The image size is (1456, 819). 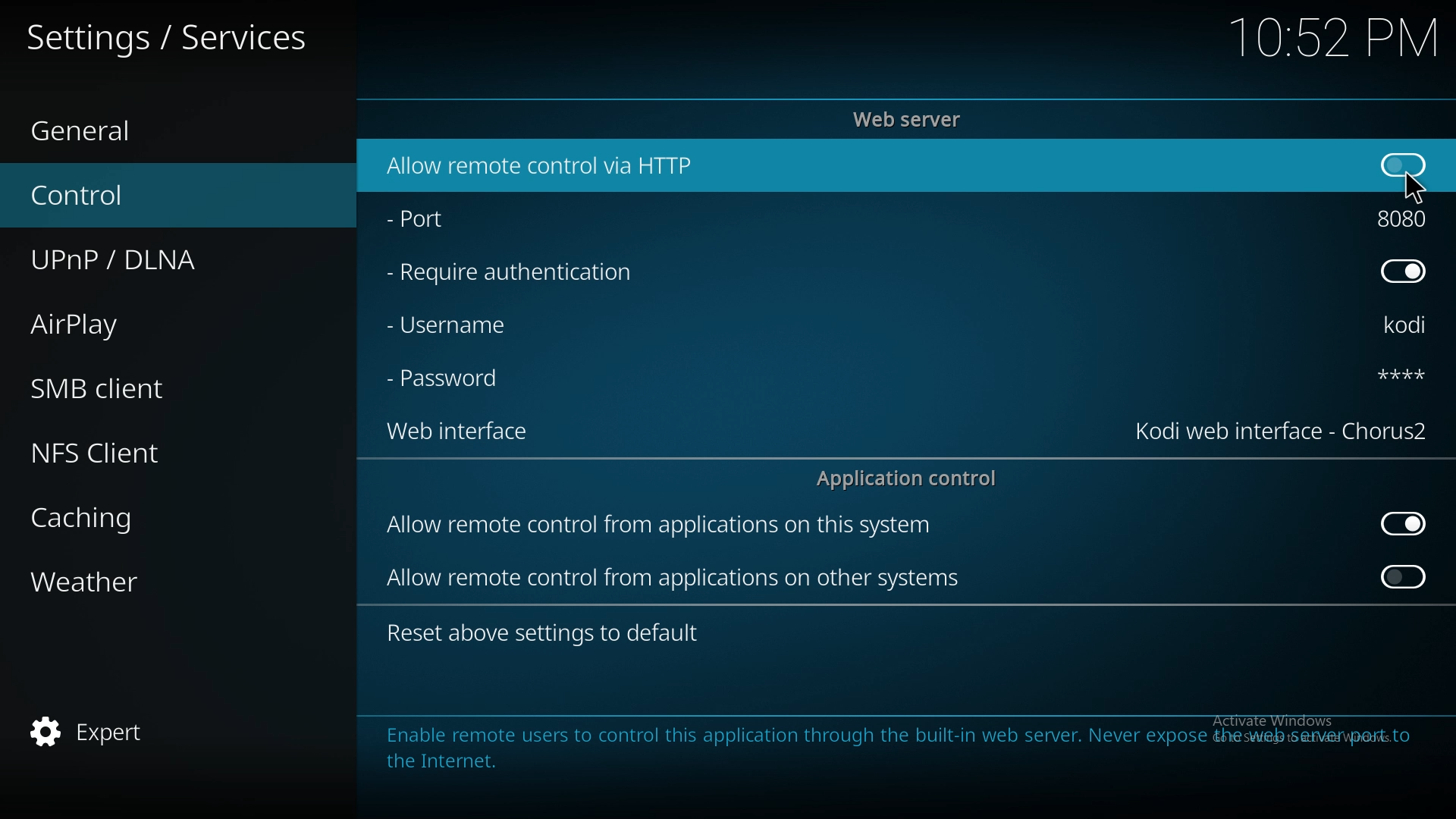 I want to click on control, so click(x=155, y=196).